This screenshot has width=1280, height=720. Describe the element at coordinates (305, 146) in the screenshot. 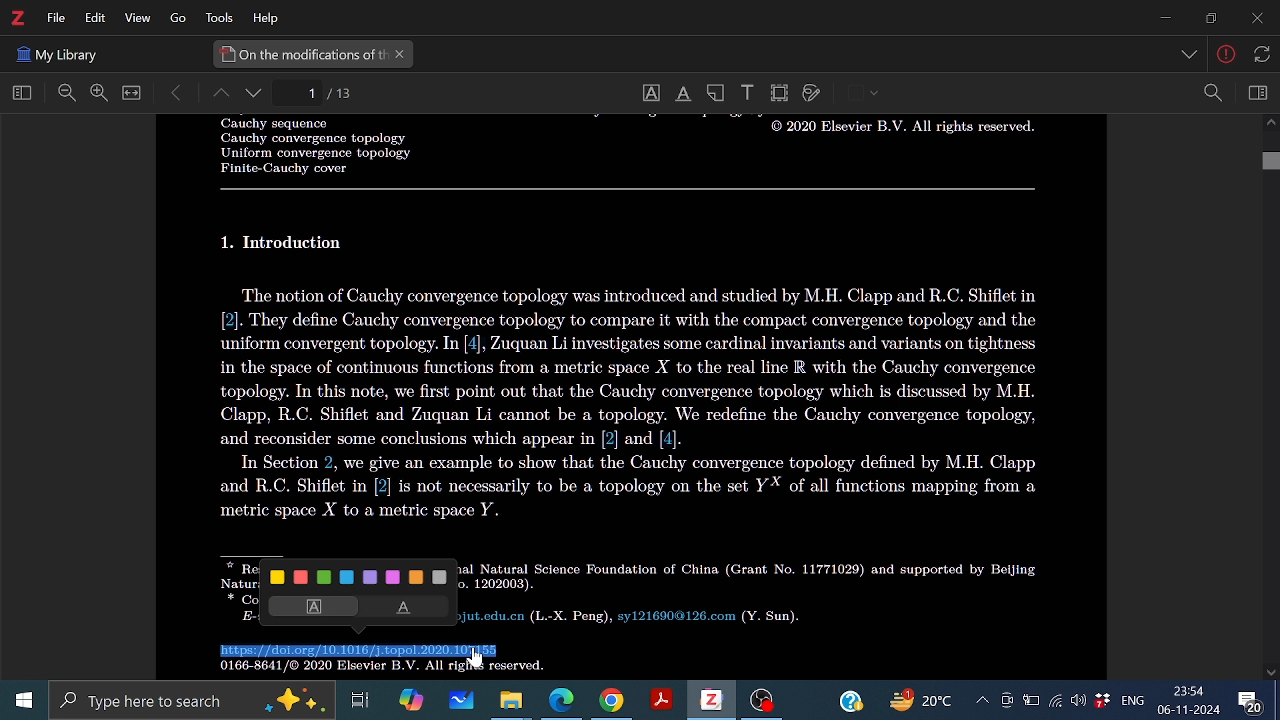

I see `` at that location.